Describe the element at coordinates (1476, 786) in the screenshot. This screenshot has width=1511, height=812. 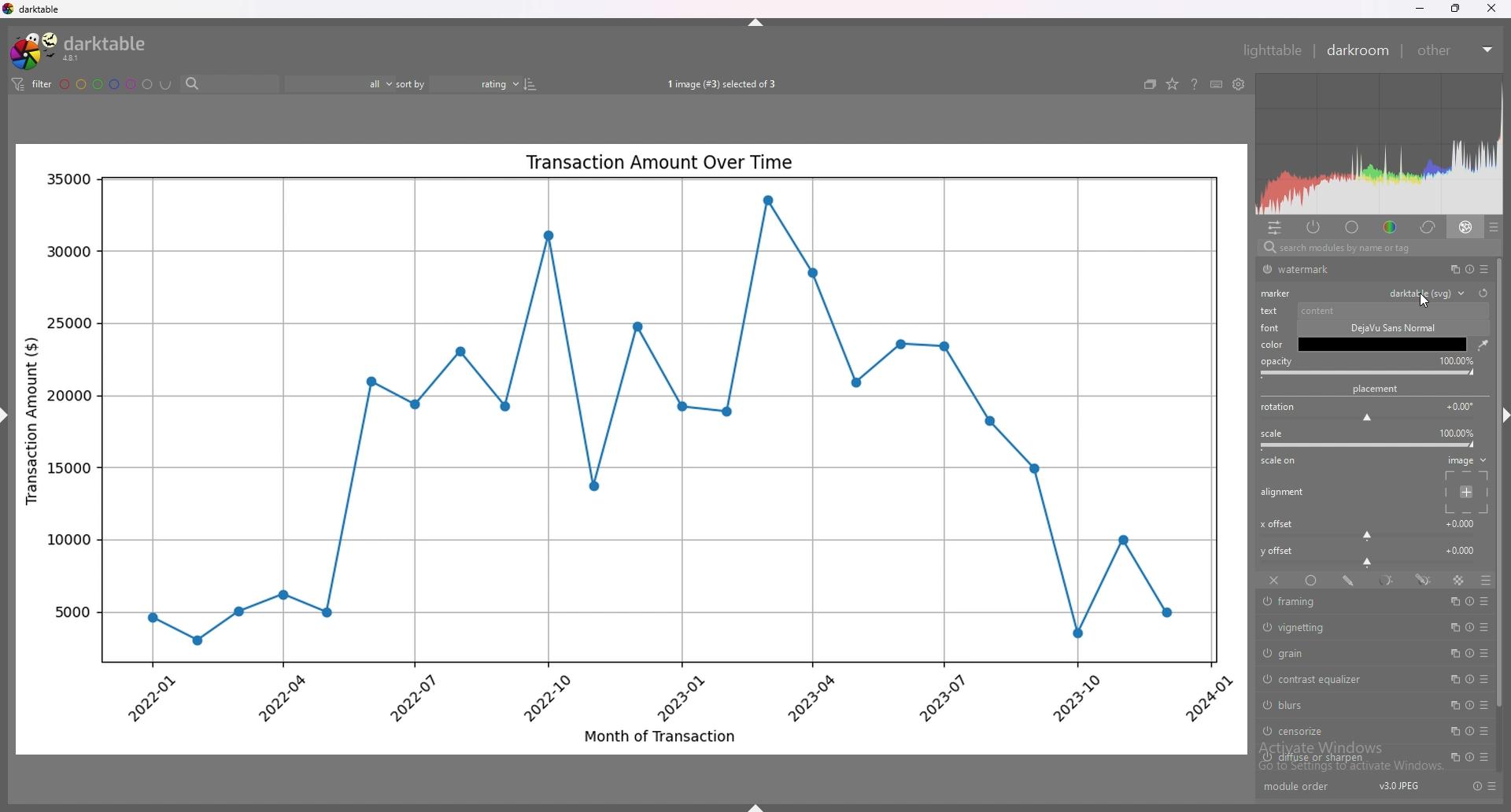
I see `reset` at that location.